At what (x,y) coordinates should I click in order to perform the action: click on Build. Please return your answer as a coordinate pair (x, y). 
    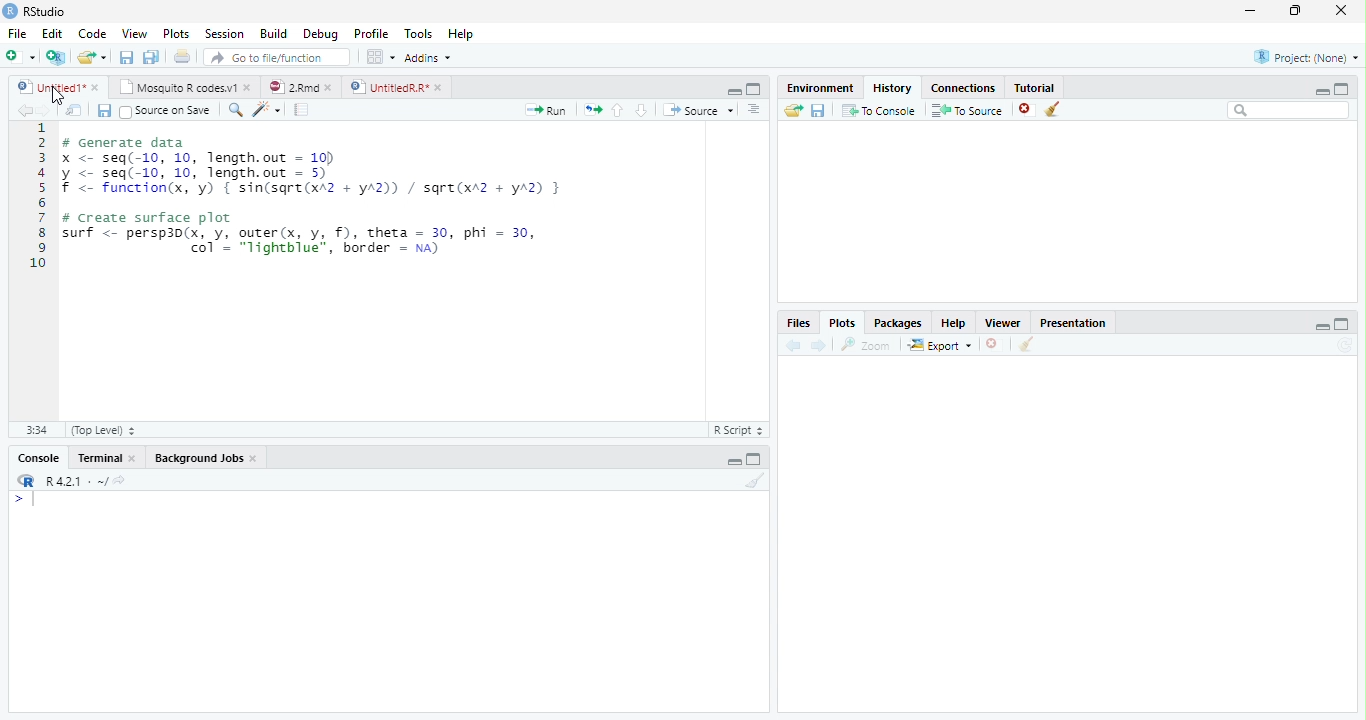
    Looking at the image, I should click on (273, 33).